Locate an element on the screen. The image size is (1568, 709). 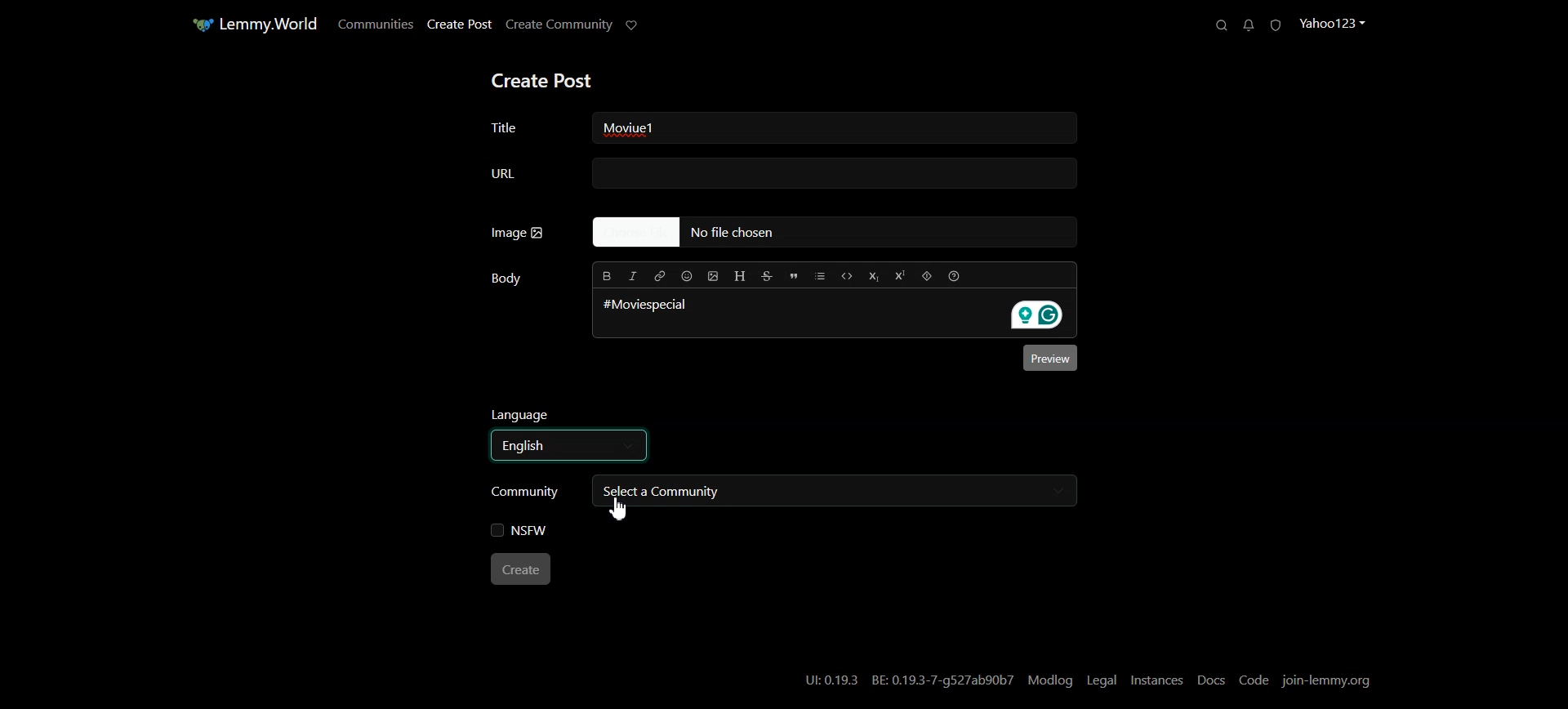
Instances is located at coordinates (1157, 680).